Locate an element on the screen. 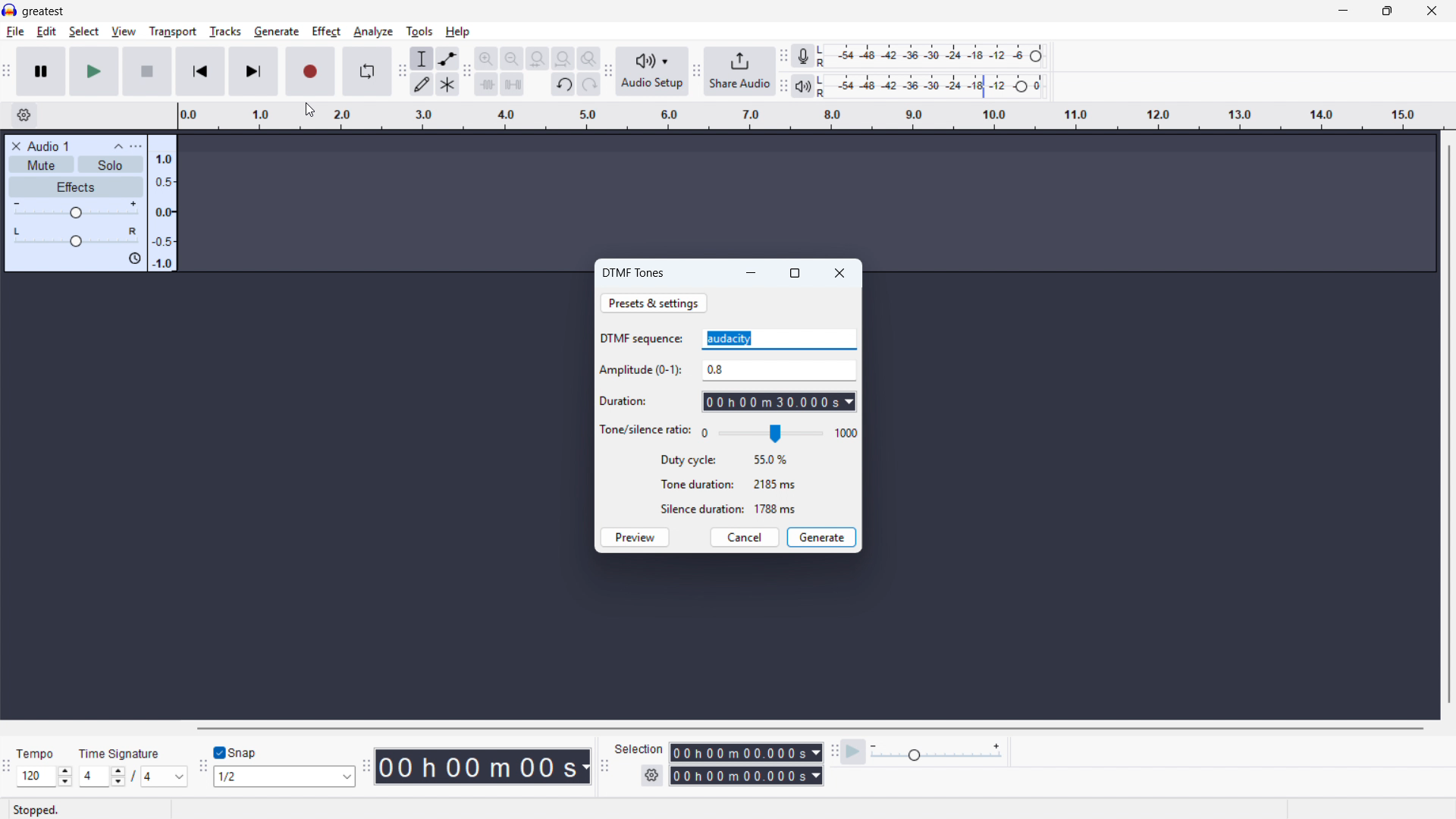  play is located at coordinates (94, 71).